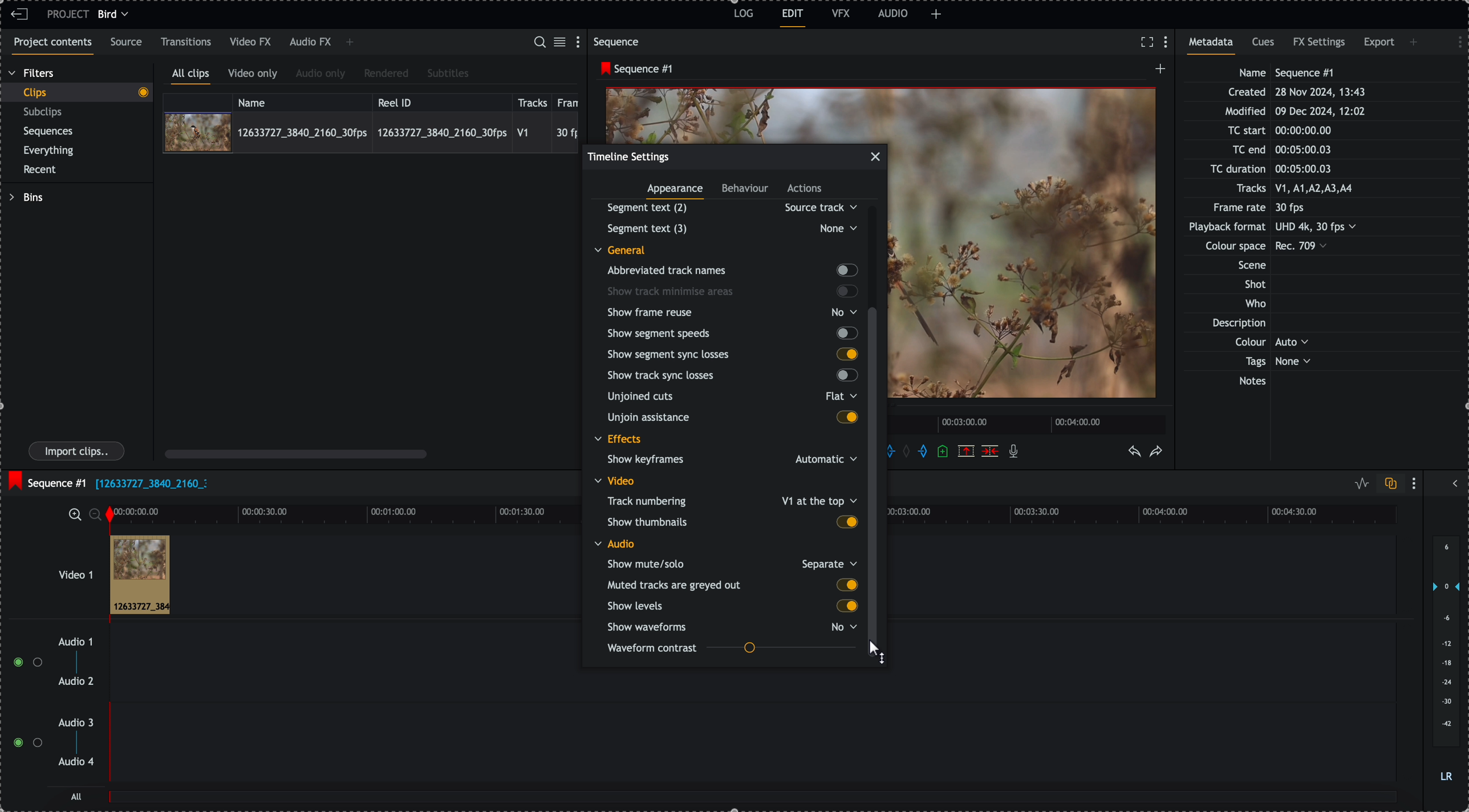  Describe the element at coordinates (731, 648) in the screenshot. I see `waveform contrast` at that location.